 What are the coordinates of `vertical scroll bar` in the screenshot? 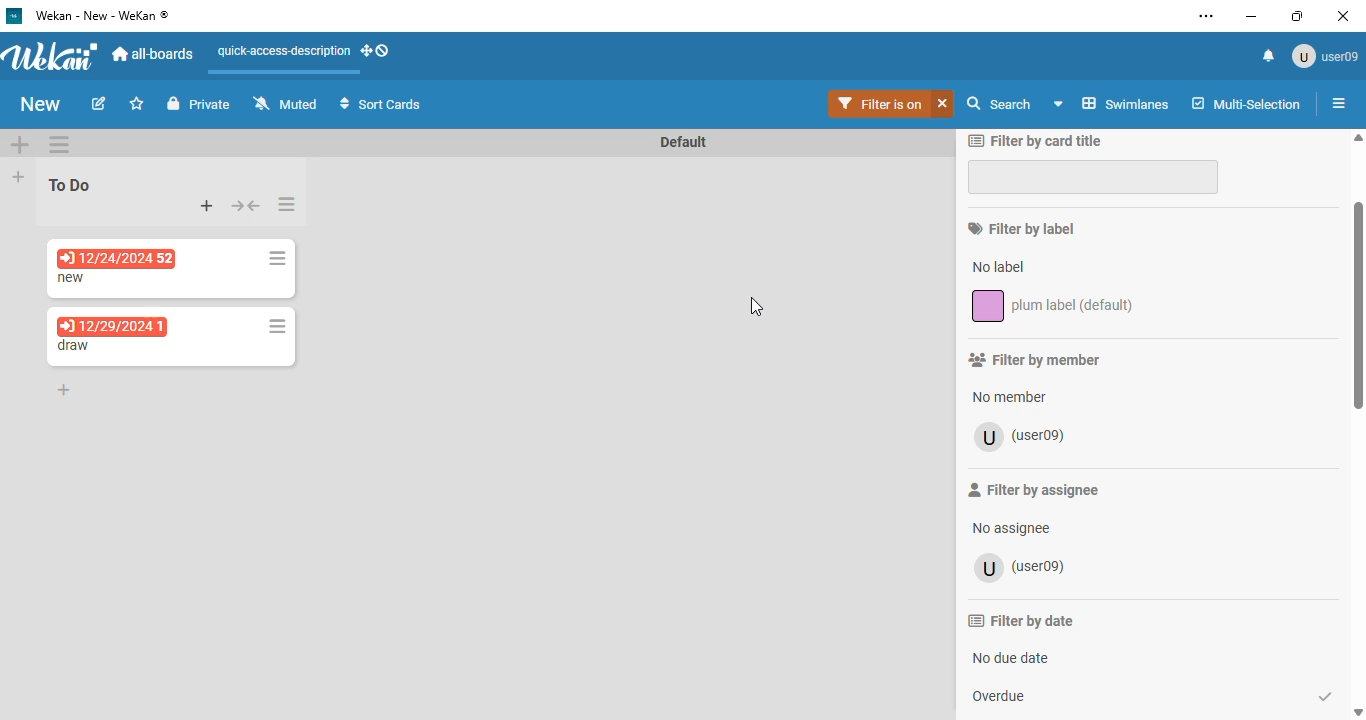 It's located at (1357, 424).